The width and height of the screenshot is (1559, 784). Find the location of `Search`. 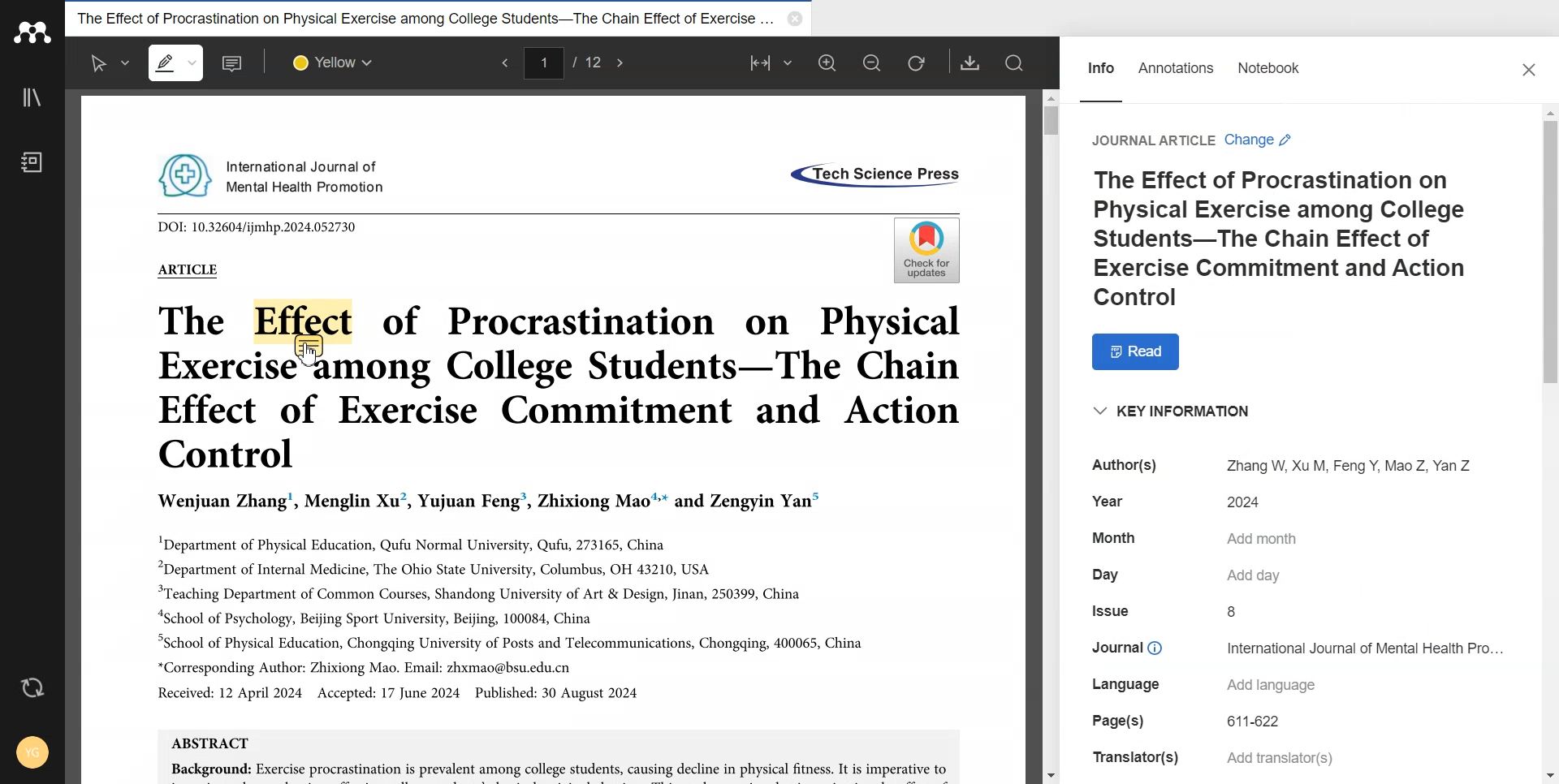

Search is located at coordinates (1016, 62).